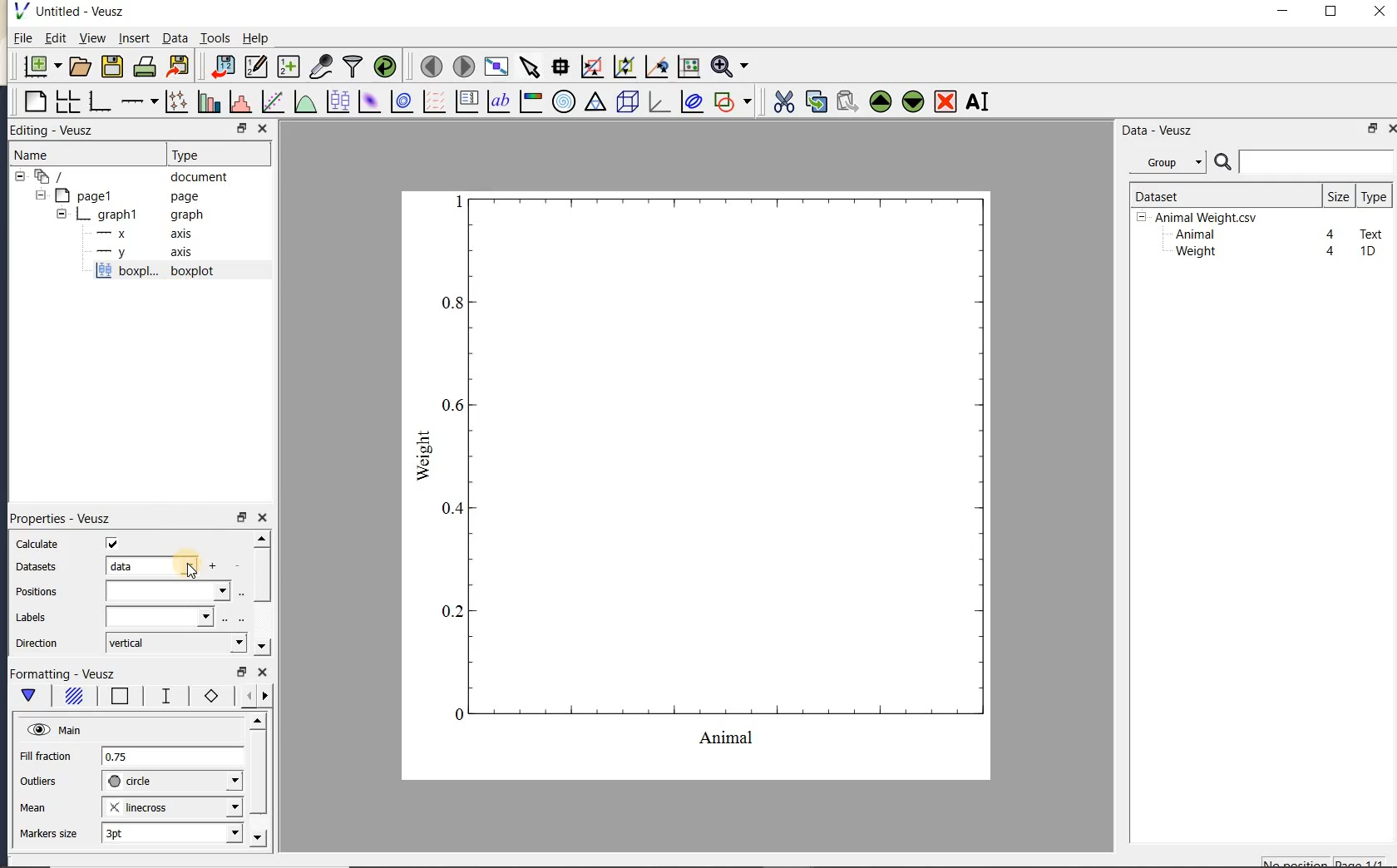 Image resolution: width=1397 pixels, height=868 pixels. Describe the element at coordinates (122, 215) in the screenshot. I see `graph1` at that location.